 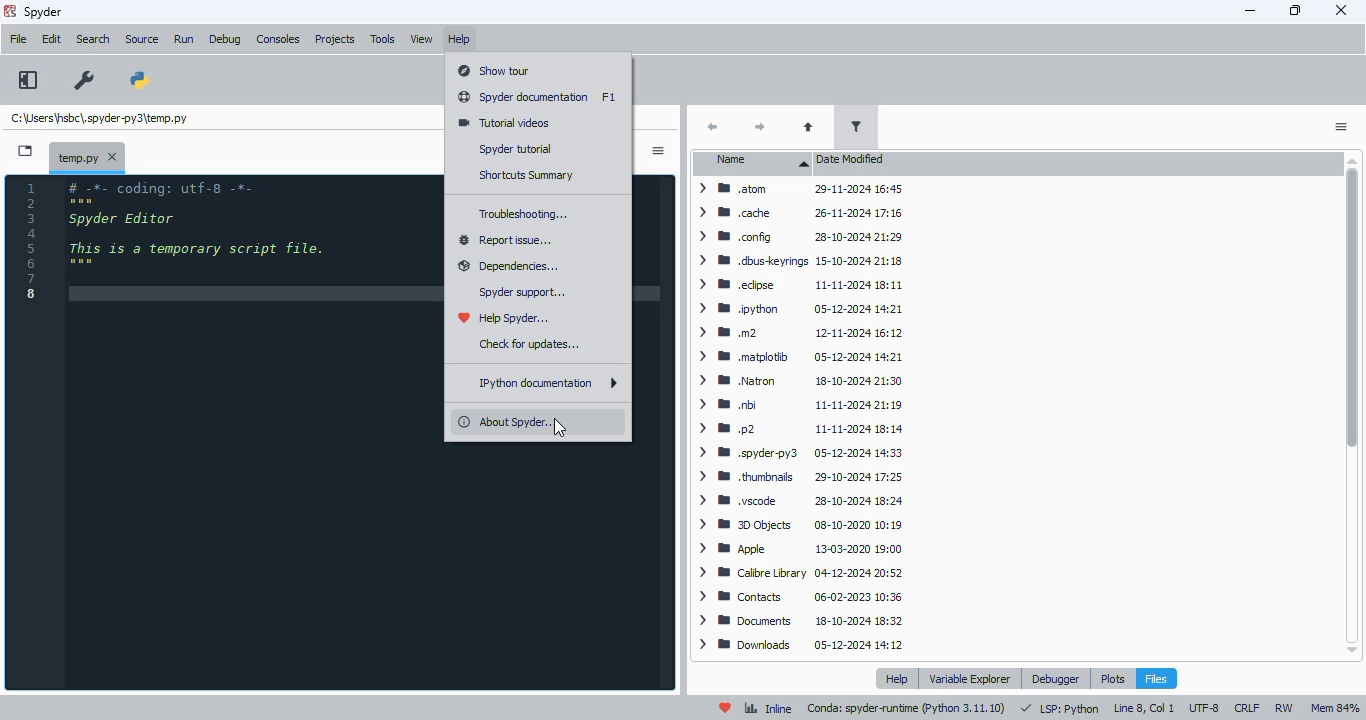 I want to click on source, so click(x=142, y=39).